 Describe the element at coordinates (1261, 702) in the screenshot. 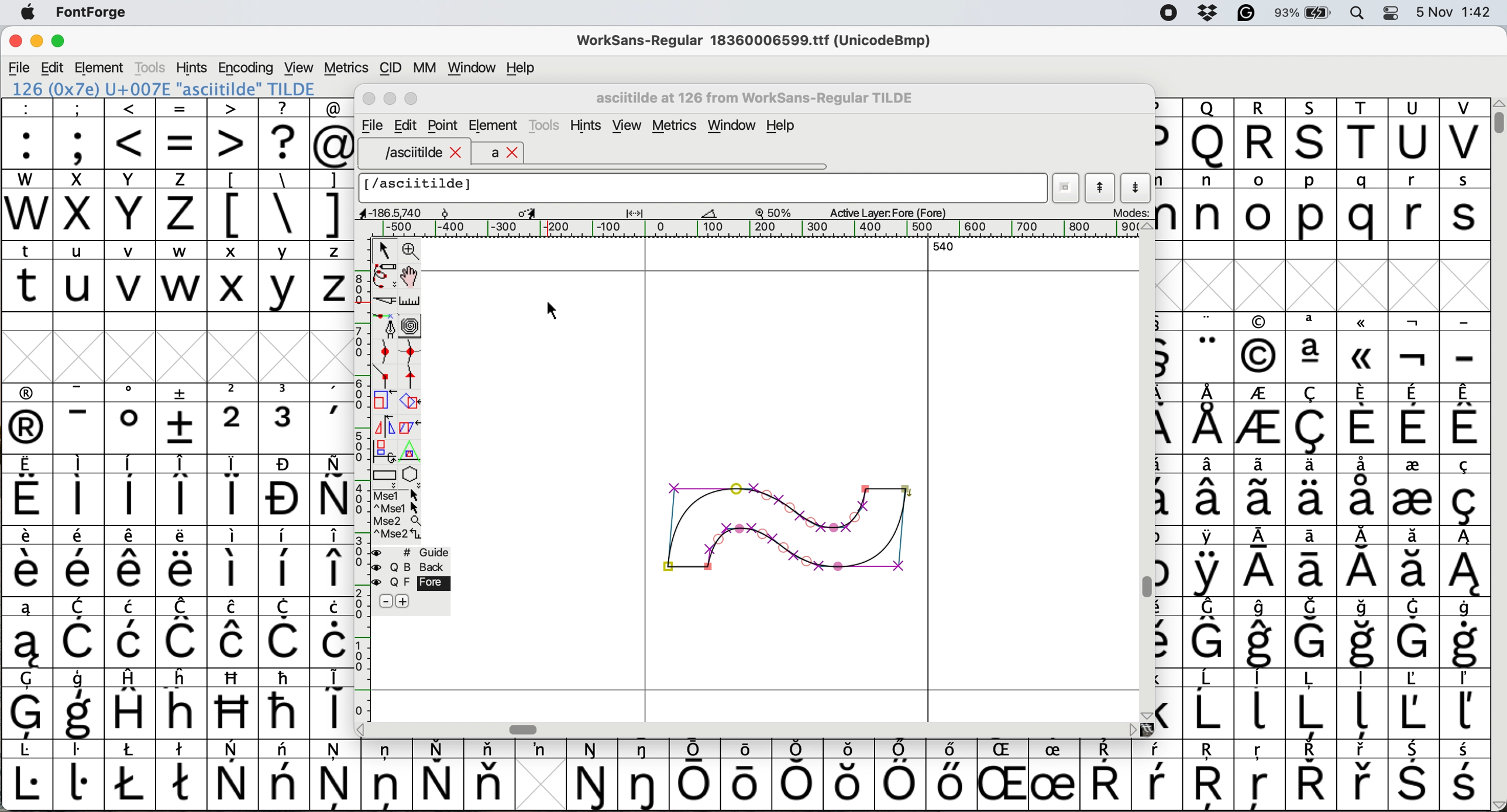

I see `symbol` at that location.